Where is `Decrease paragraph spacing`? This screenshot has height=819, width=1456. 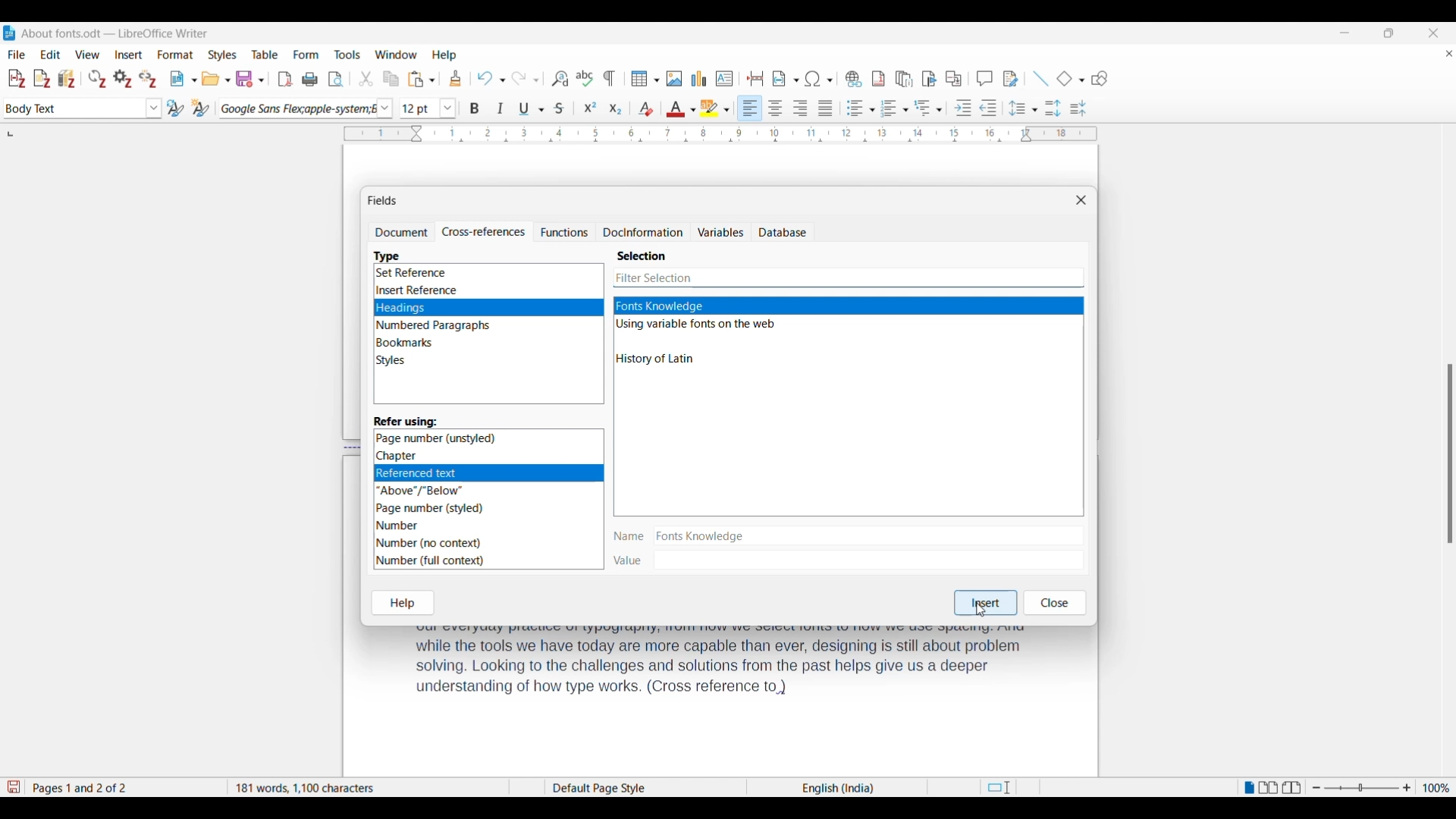
Decrease paragraph spacing is located at coordinates (1078, 108).